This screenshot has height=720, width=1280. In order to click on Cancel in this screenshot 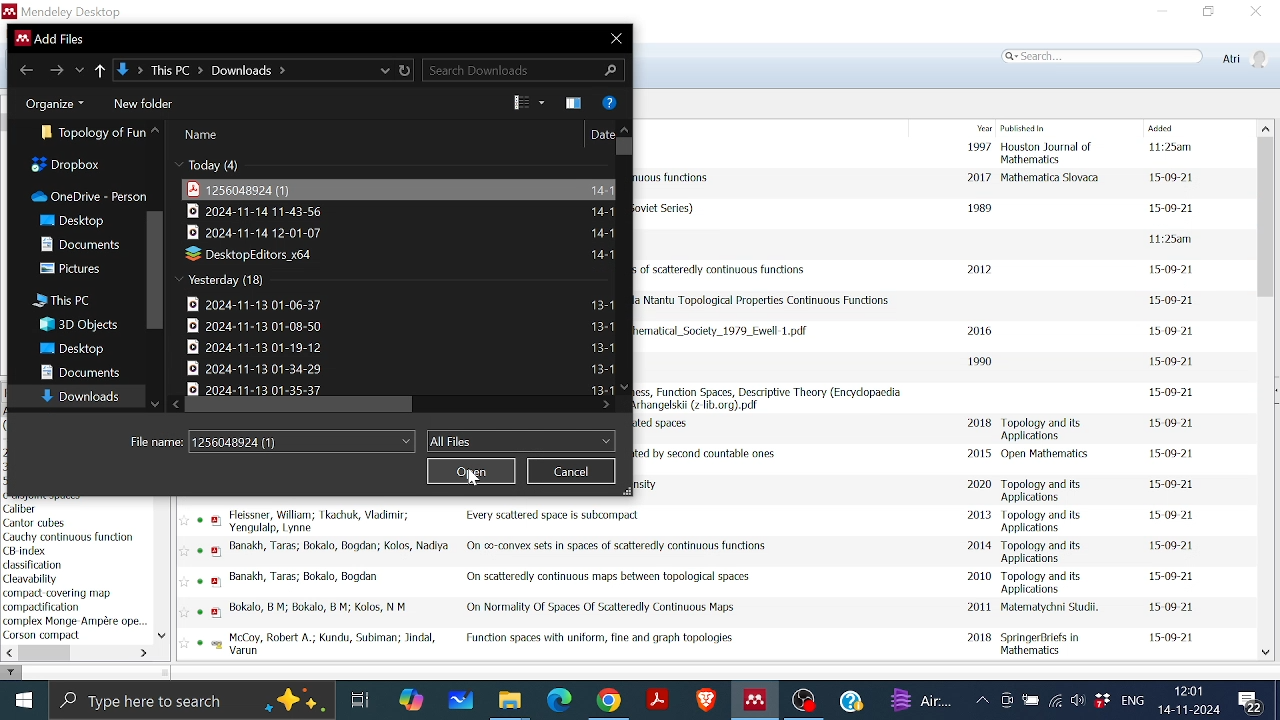, I will do `click(570, 470)`.